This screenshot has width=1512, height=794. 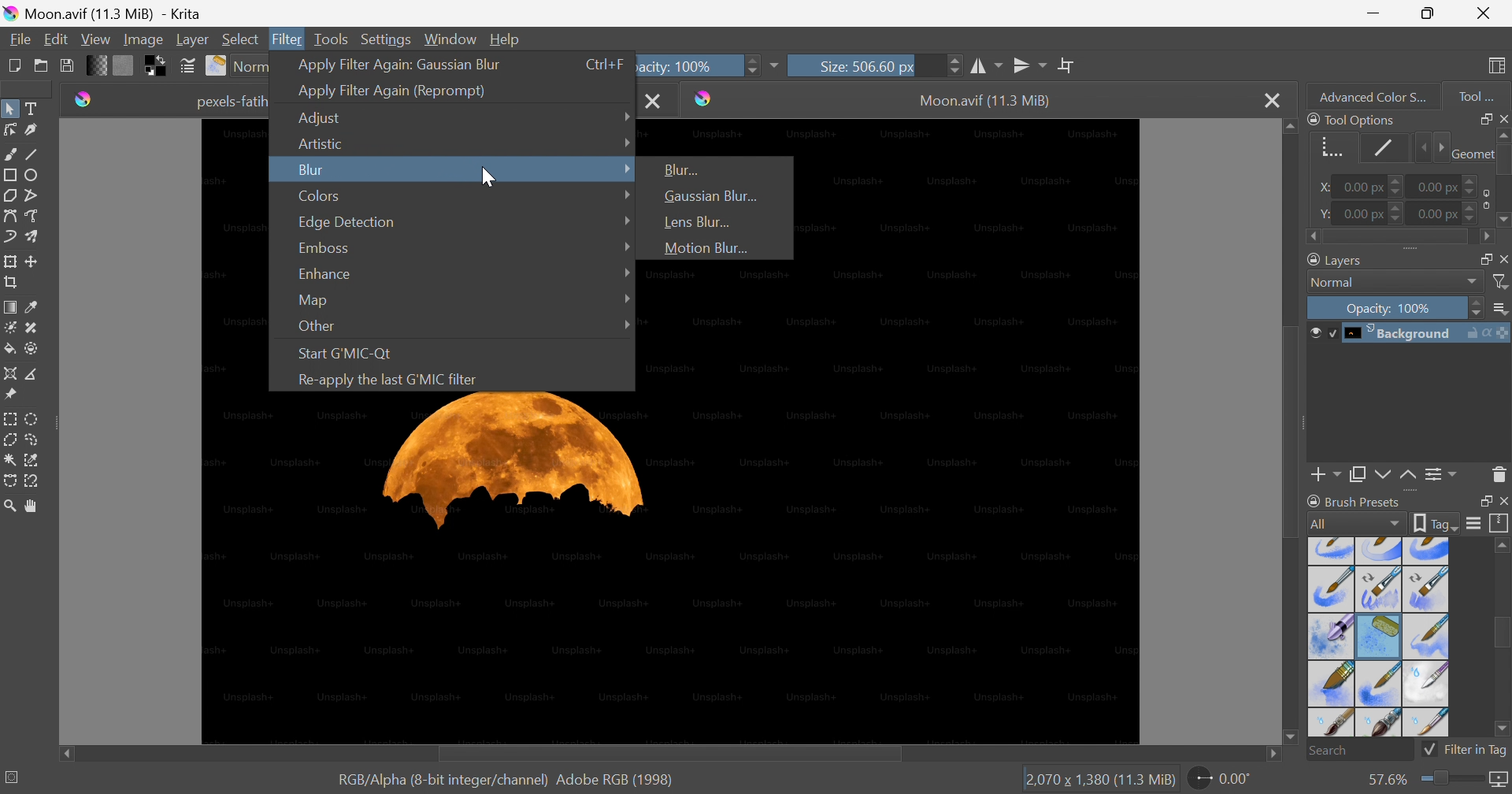 I want to click on Filter, so click(x=288, y=39).